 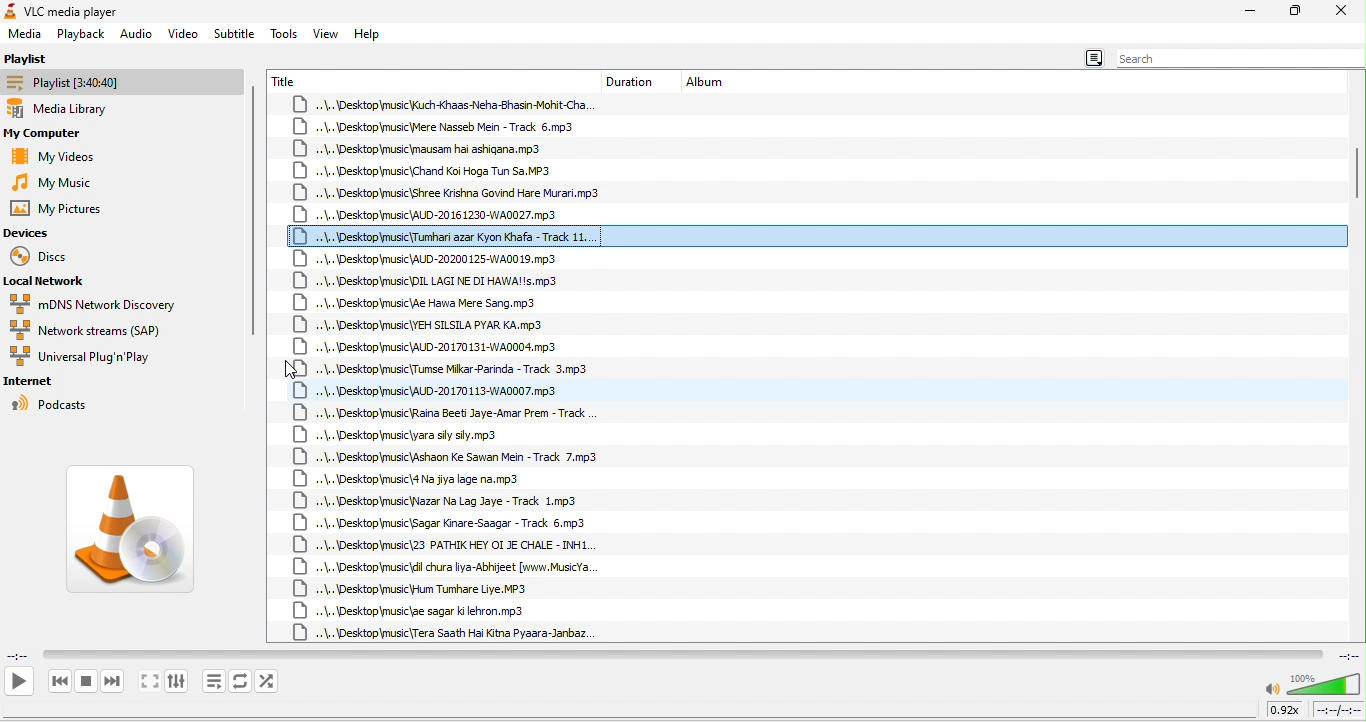 I want to click on icon, so click(x=10, y=11).